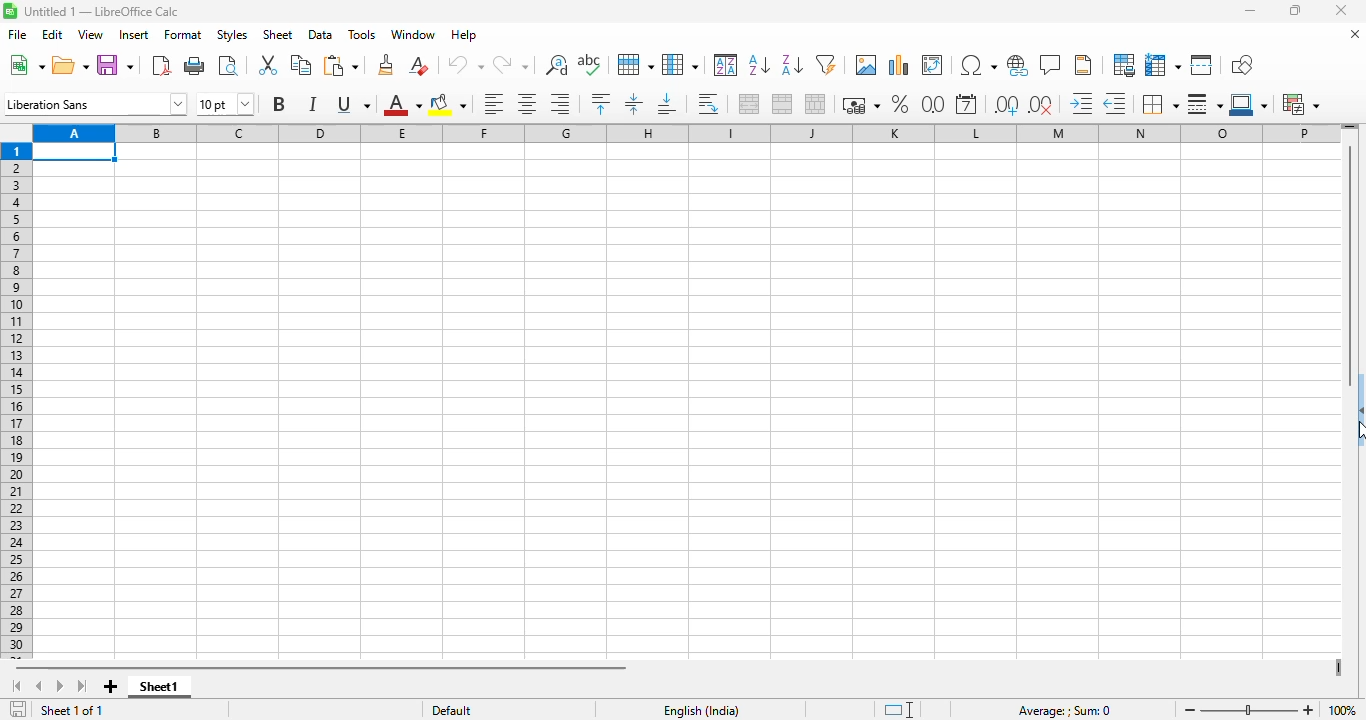 The image size is (1366, 720). I want to click on insert chart, so click(899, 65).